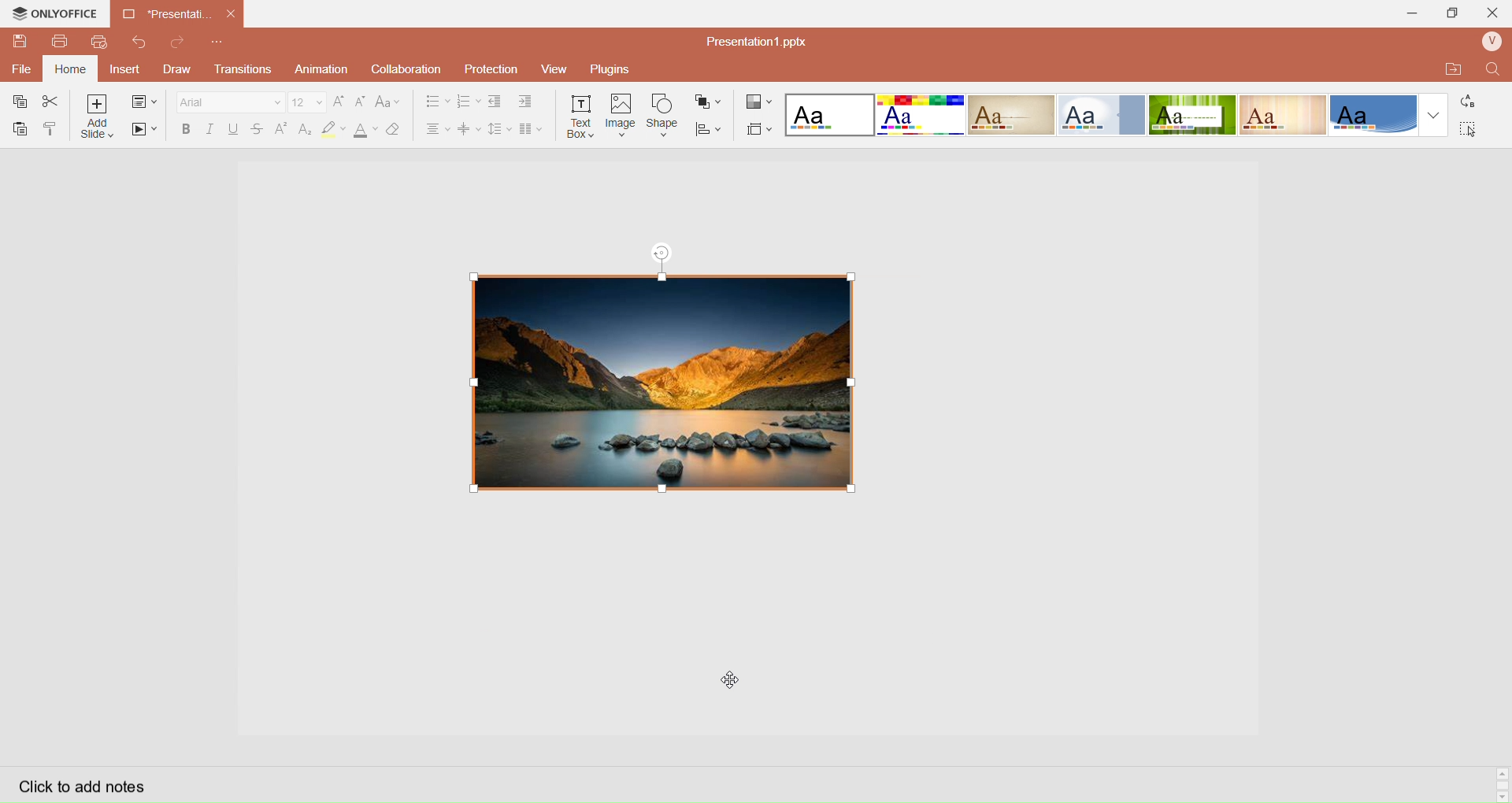 The image size is (1512, 803). What do you see at coordinates (56, 130) in the screenshot?
I see `Copy Style` at bounding box center [56, 130].